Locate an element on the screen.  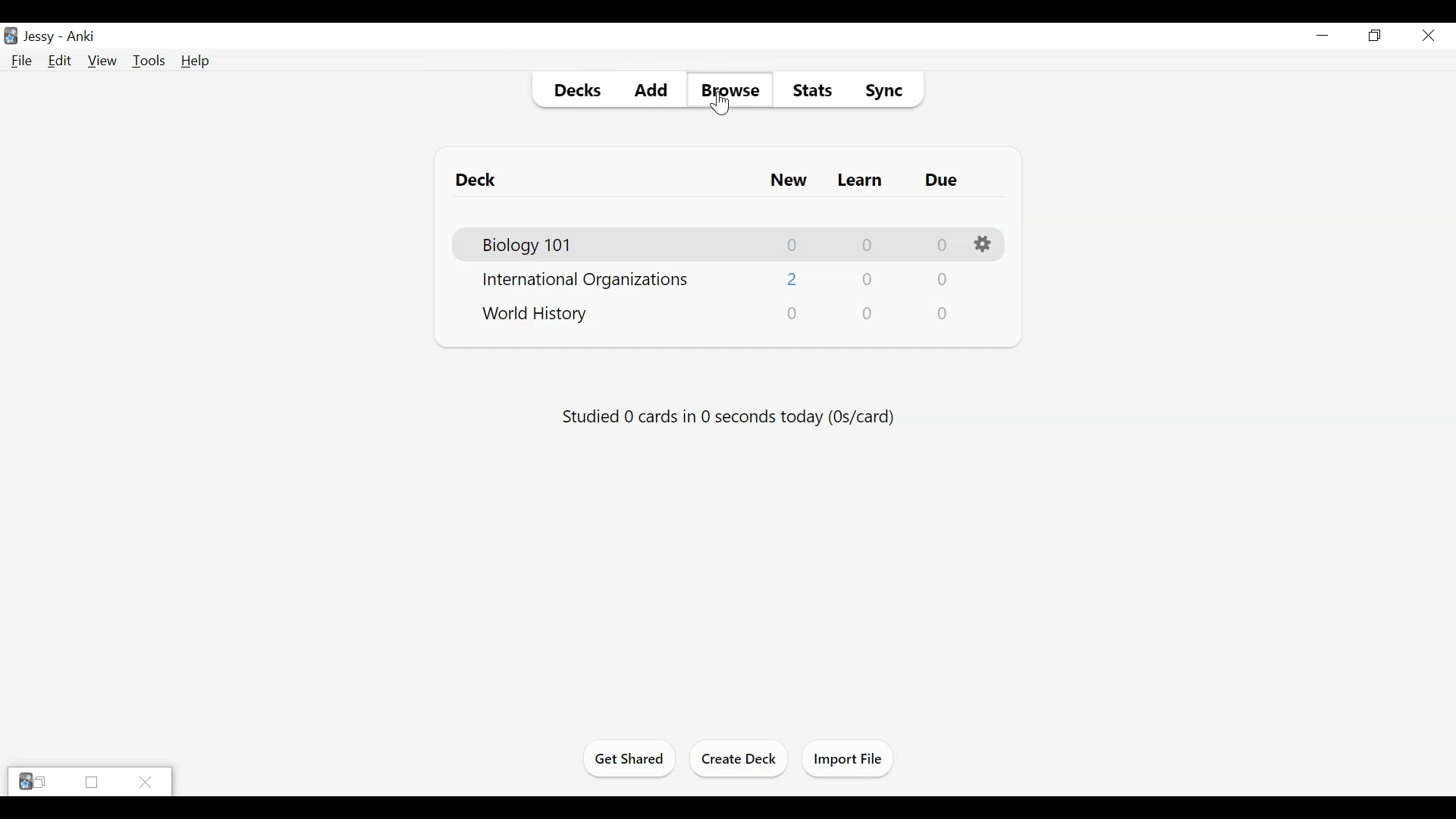
Close is located at coordinates (1426, 36).